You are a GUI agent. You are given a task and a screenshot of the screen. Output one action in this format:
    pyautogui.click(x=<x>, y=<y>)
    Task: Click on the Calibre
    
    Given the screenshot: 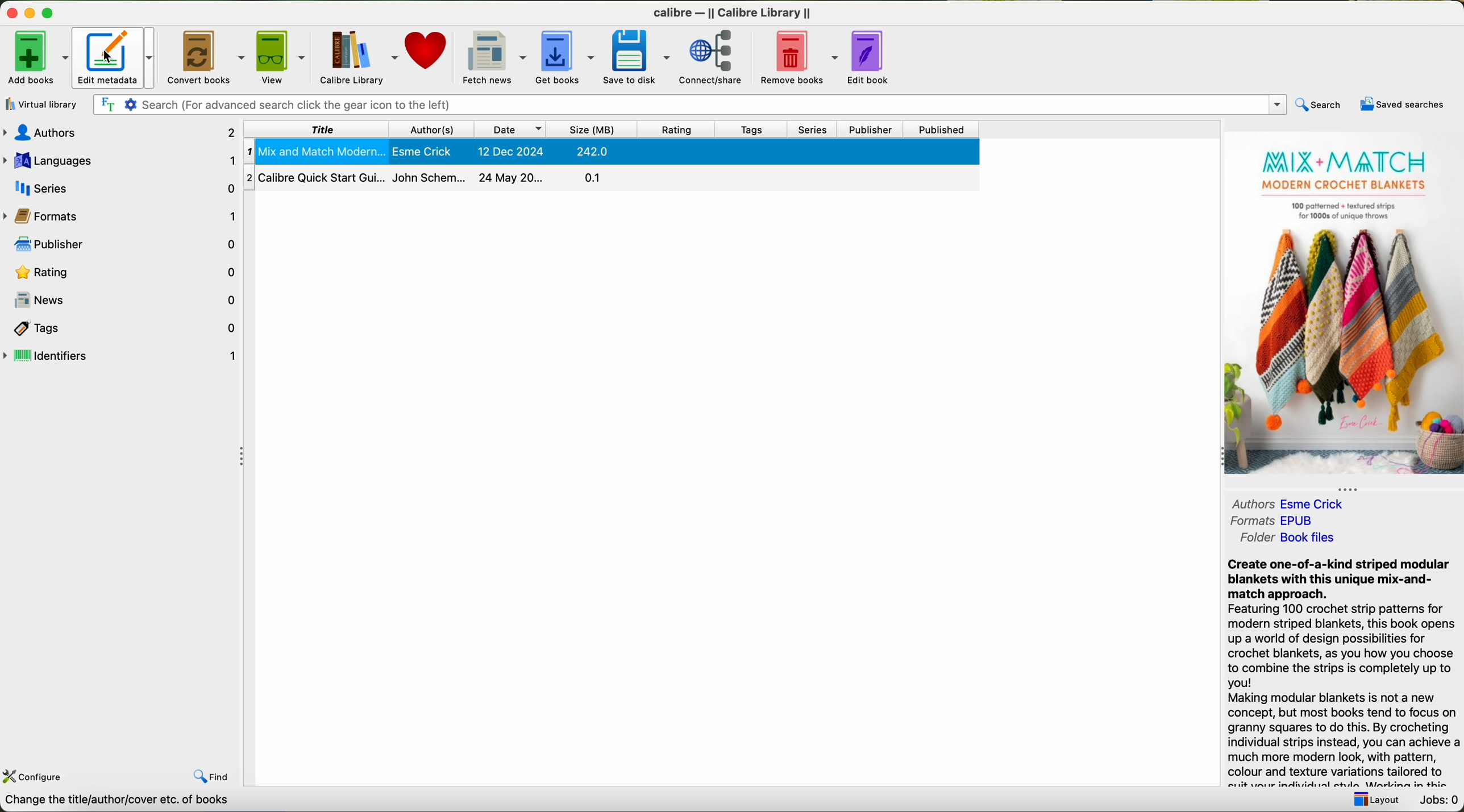 What is the action you would take?
    pyautogui.click(x=735, y=15)
    